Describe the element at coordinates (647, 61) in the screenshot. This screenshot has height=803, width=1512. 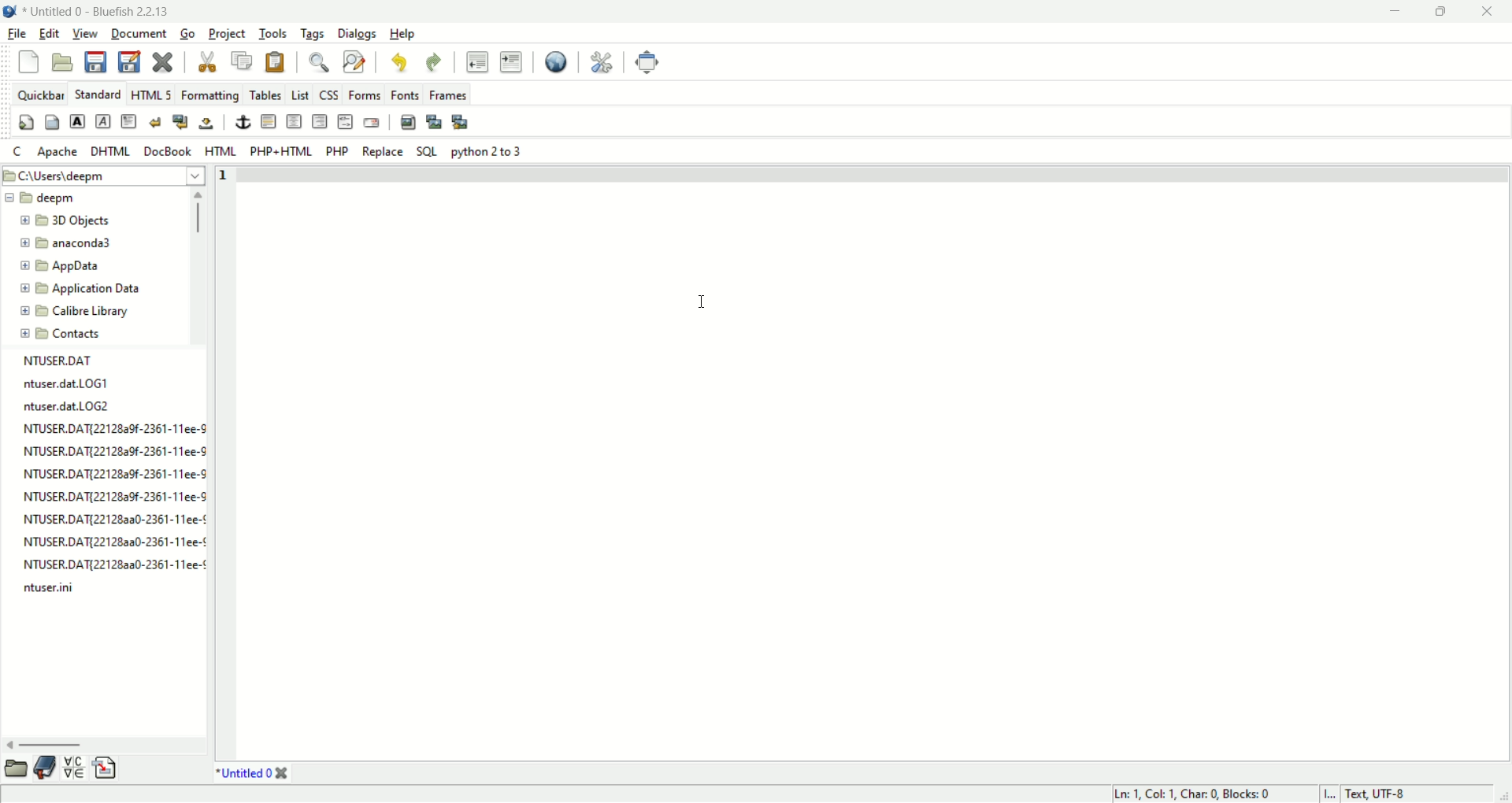
I see `fullscreen` at that location.